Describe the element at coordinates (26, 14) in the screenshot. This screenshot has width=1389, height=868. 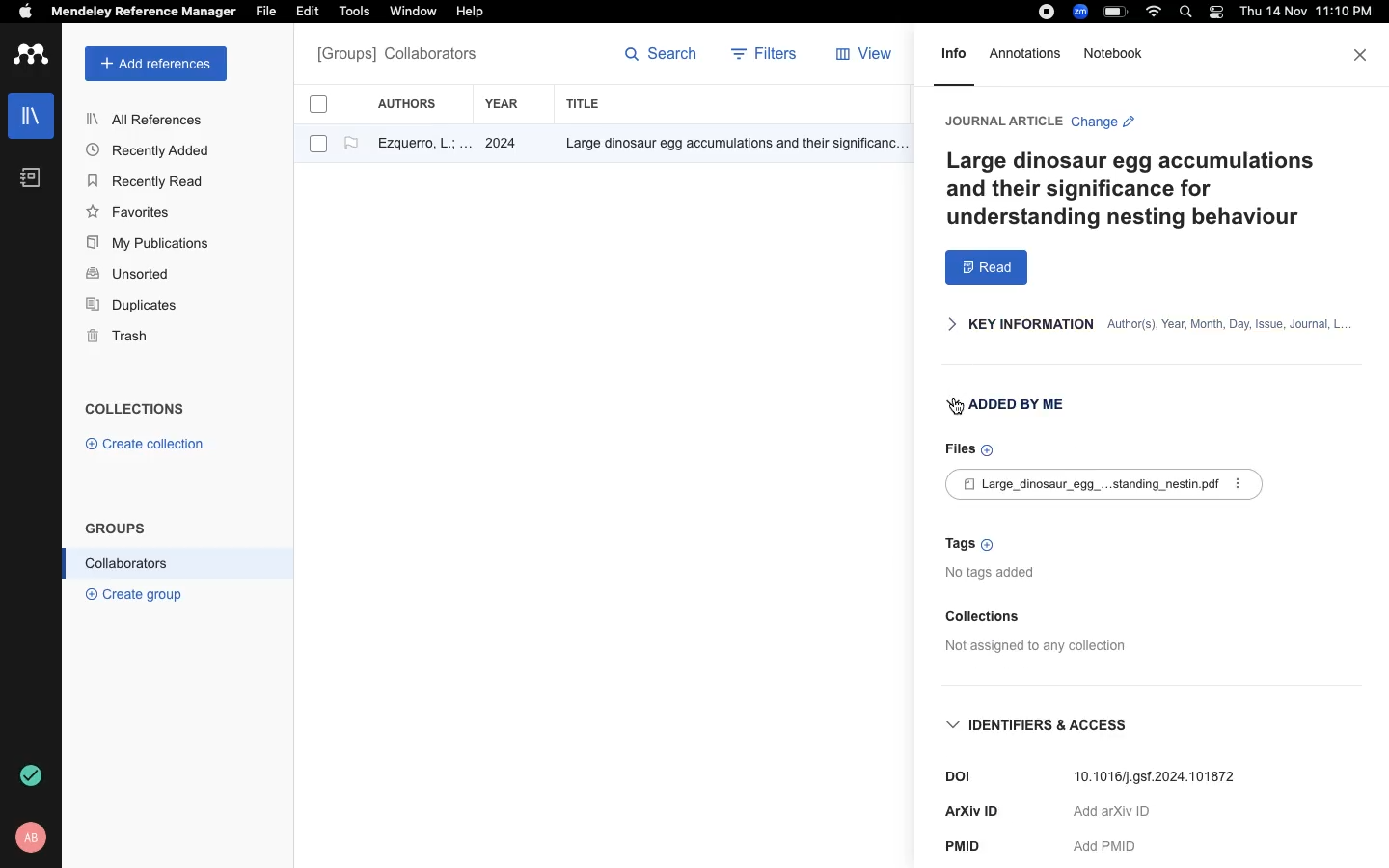
I see `apple logo` at that location.